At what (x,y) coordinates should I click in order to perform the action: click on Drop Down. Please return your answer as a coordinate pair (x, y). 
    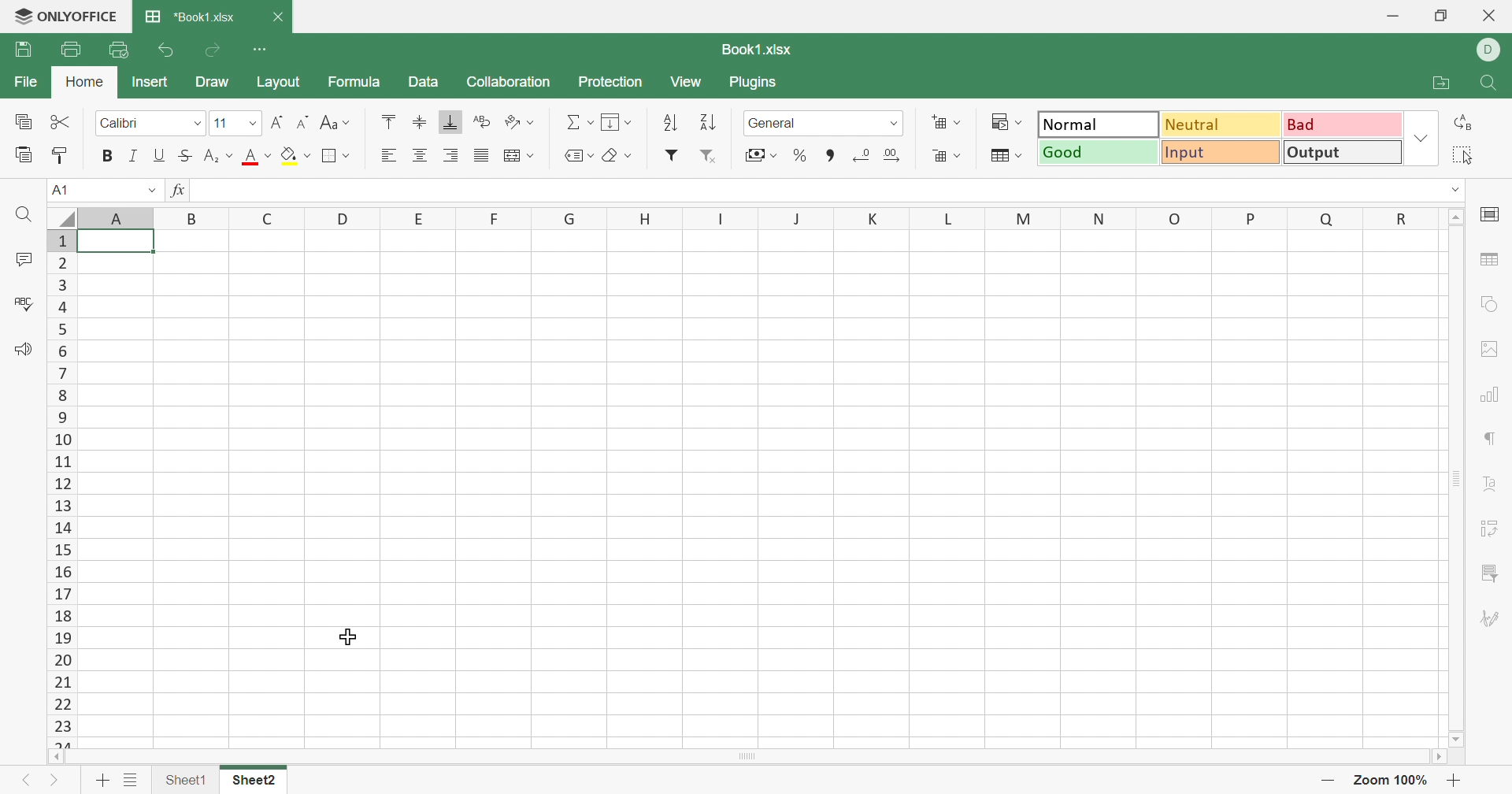
    Looking at the image, I should click on (1458, 187).